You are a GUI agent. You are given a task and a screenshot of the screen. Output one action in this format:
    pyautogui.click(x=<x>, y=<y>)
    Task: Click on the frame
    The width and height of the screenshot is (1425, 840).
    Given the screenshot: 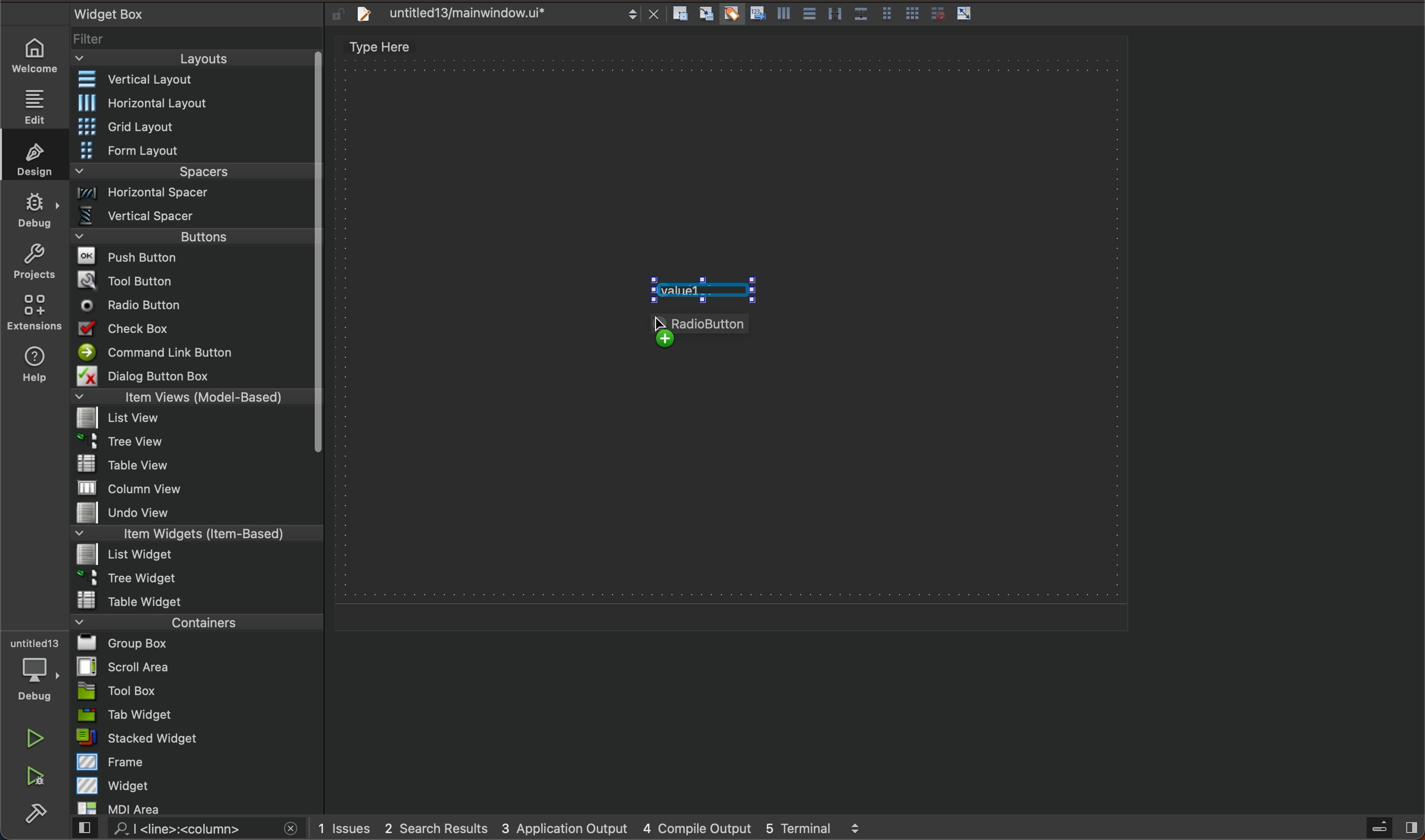 What is the action you would take?
    pyautogui.click(x=199, y=761)
    